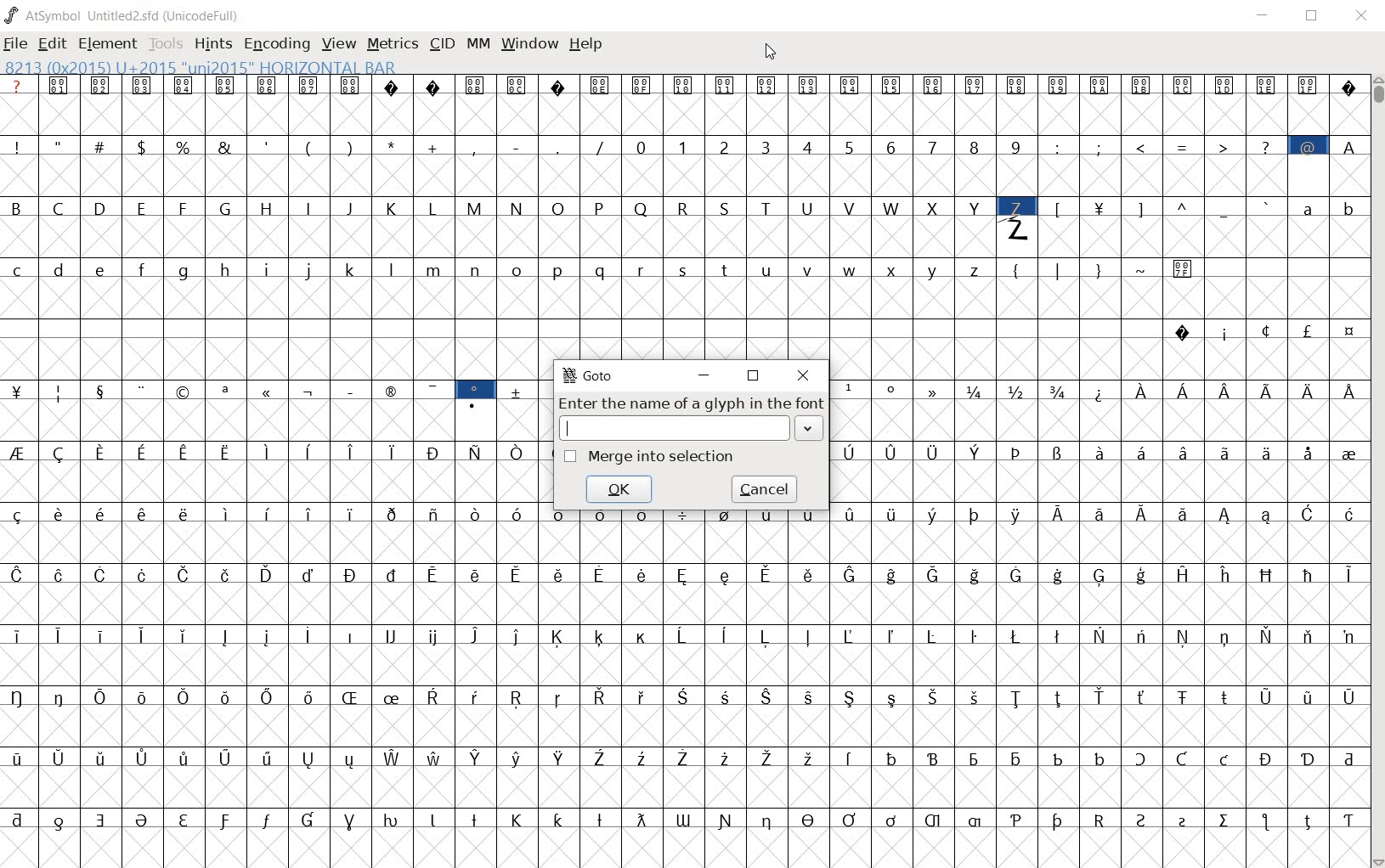 The height and width of the screenshot is (868, 1385). I want to click on AtSymbol  Untitled2.sfd (UnicodeFull), so click(123, 15).